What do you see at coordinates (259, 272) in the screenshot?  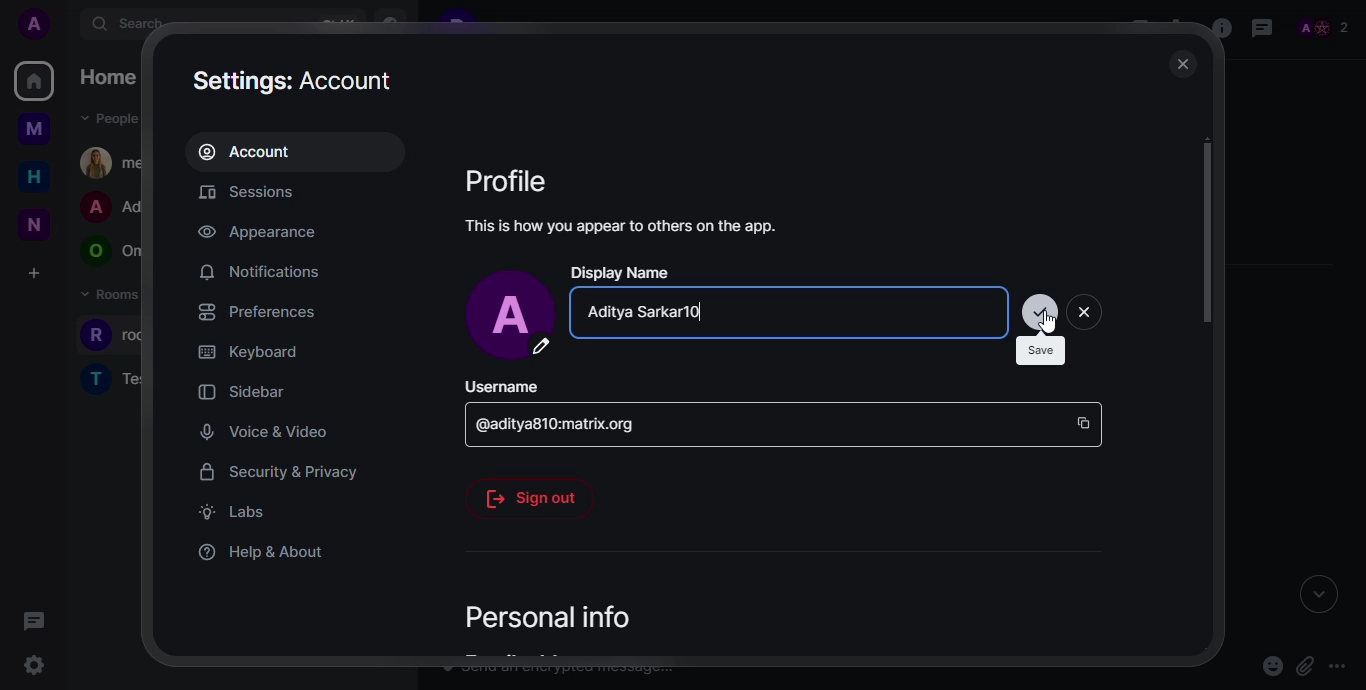 I see `notifications` at bounding box center [259, 272].